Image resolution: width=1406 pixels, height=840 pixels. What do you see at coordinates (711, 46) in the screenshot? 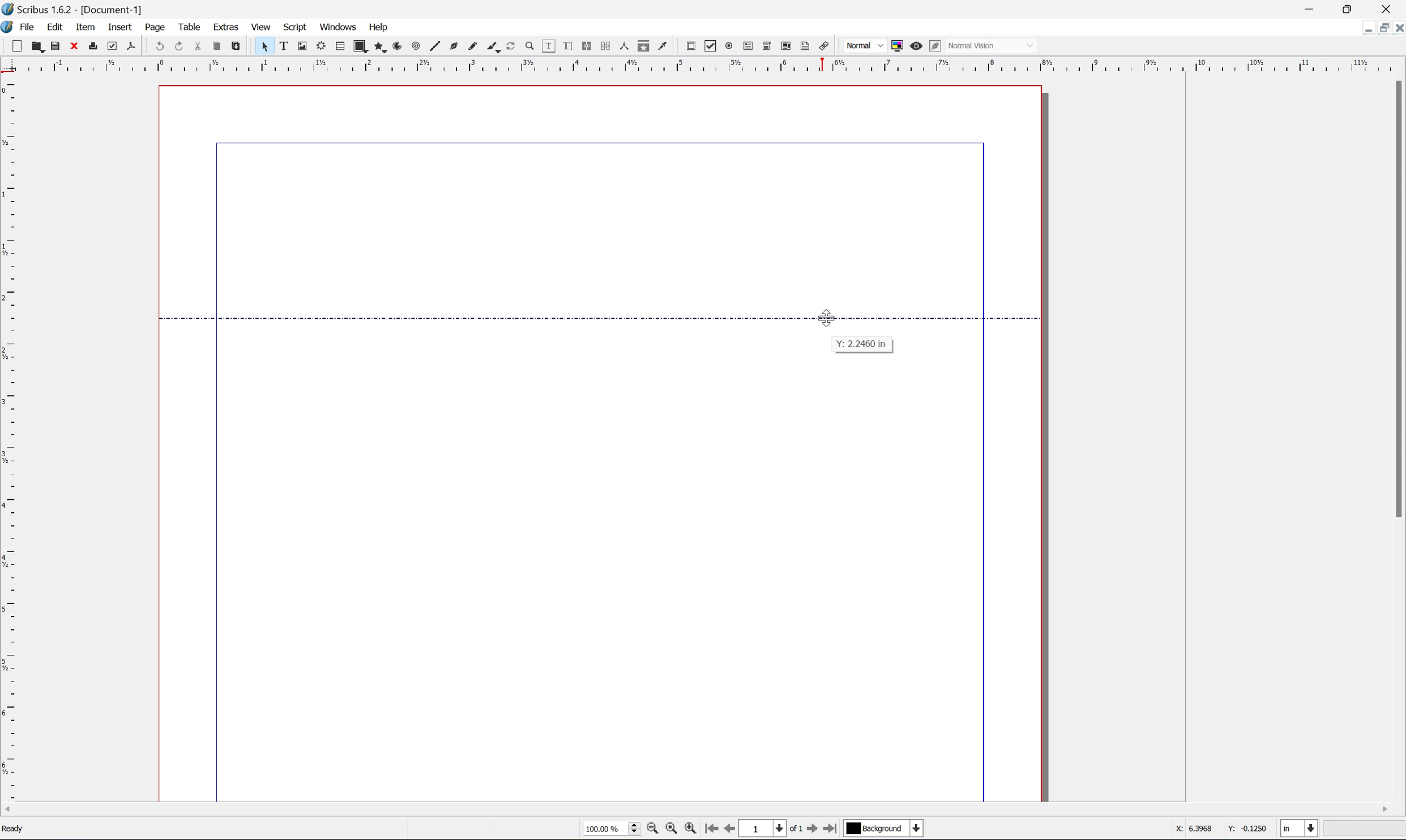
I see `pdf checkbox` at bounding box center [711, 46].